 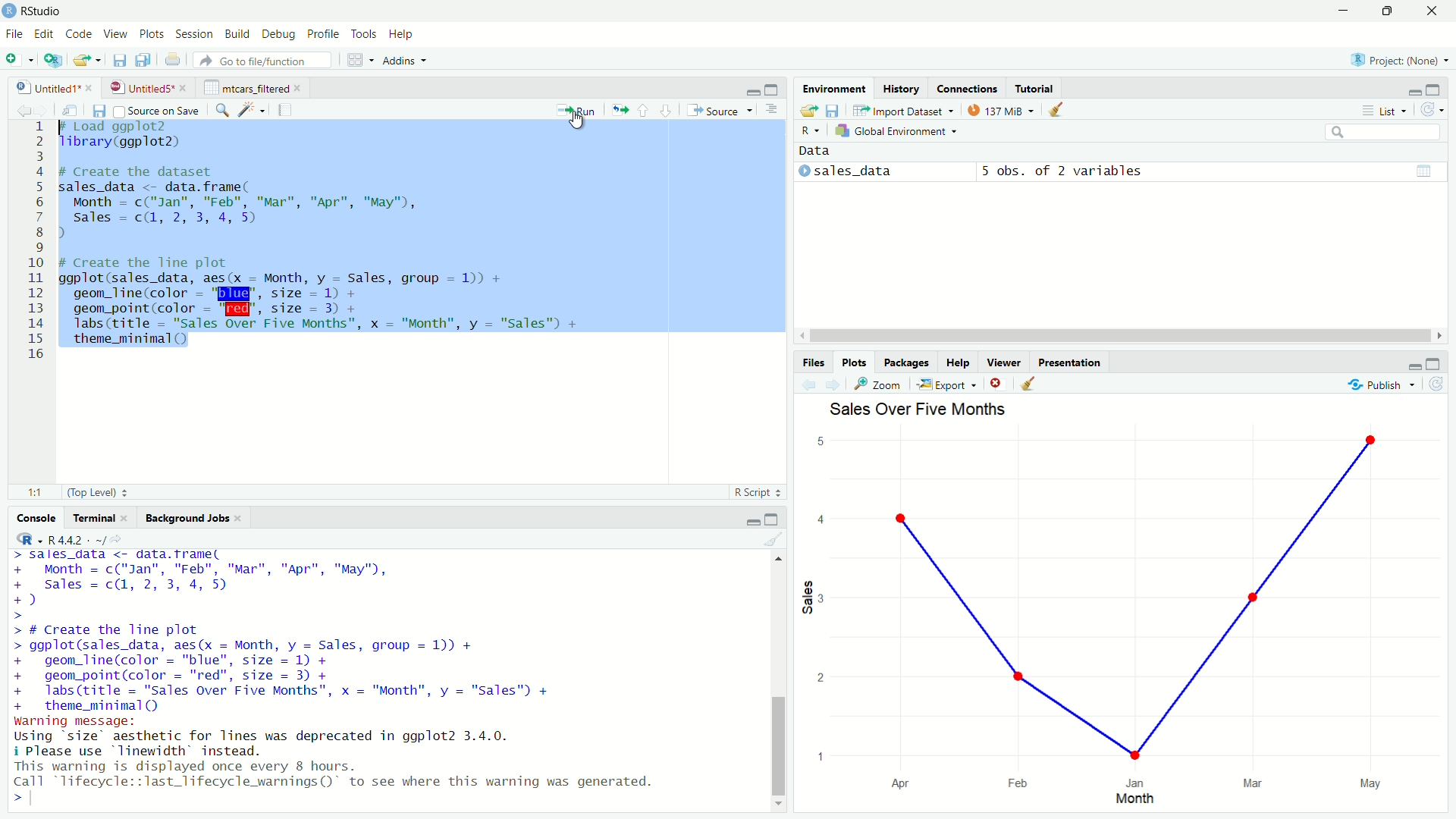 I want to click on publish, so click(x=1376, y=385).